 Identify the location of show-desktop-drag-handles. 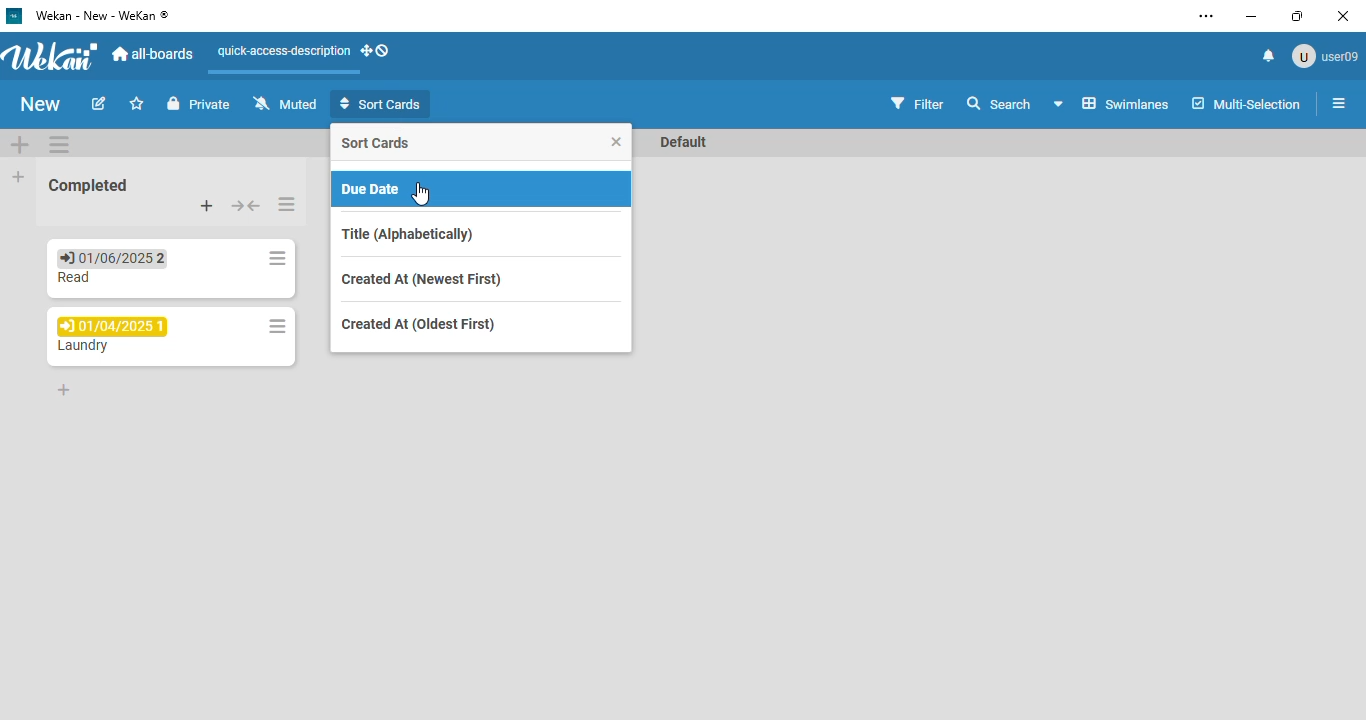
(377, 51).